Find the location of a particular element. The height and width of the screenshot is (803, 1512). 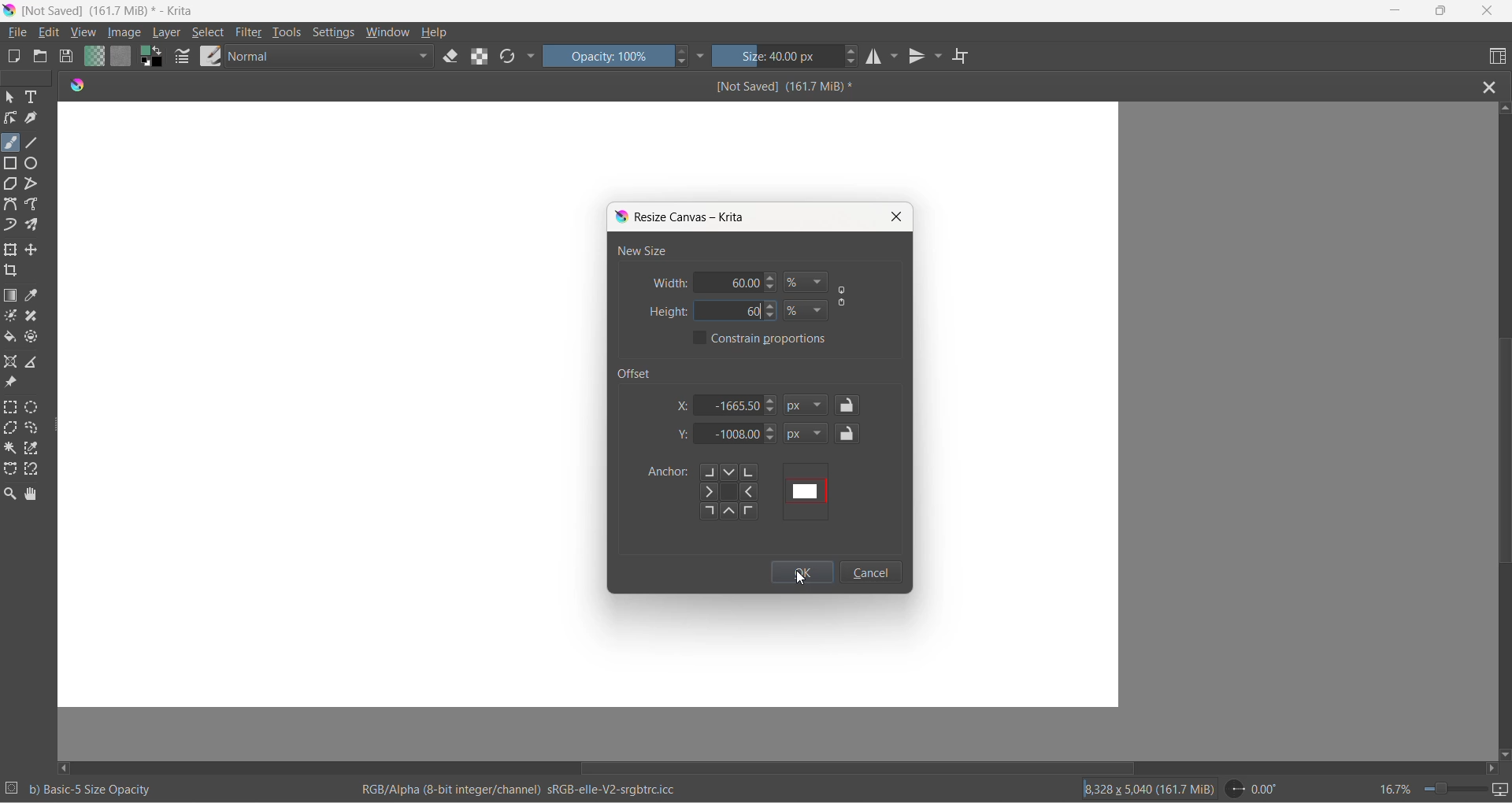

edit is located at coordinates (53, 33).